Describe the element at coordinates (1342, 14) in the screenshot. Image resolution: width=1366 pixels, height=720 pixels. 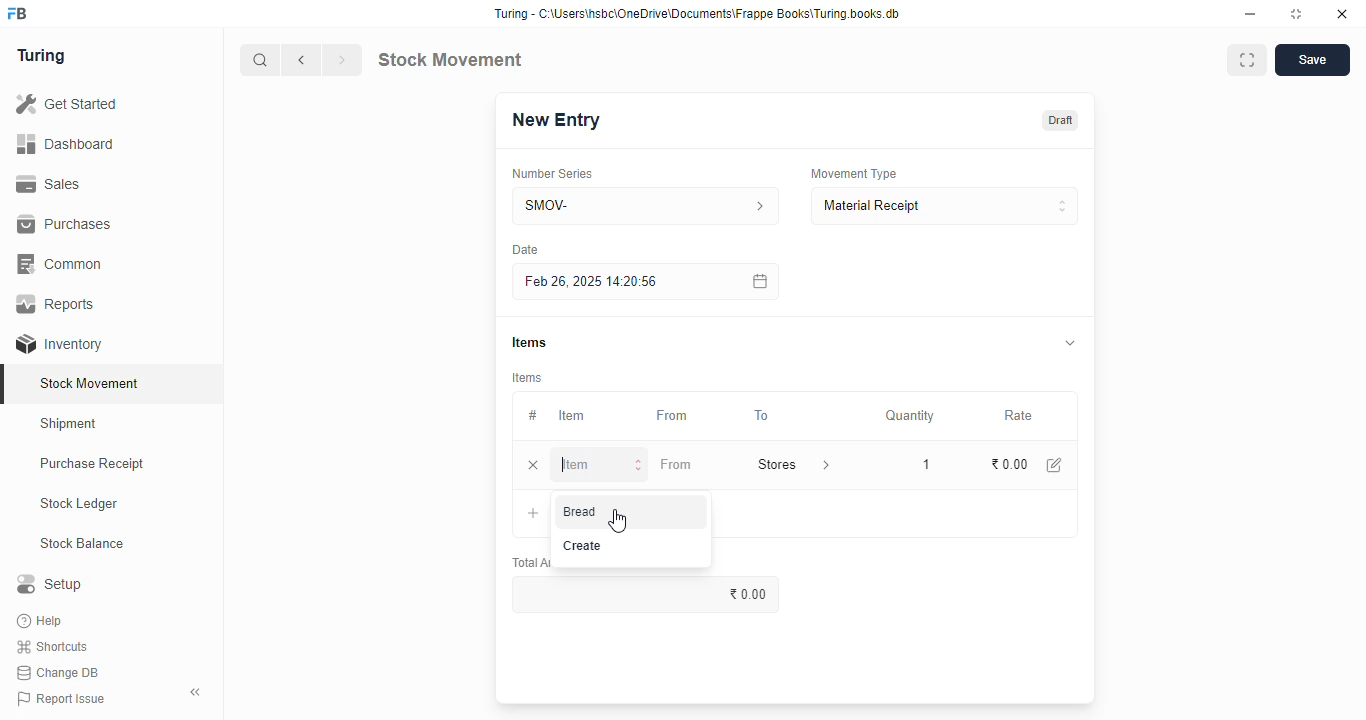
I see `close` at that location.